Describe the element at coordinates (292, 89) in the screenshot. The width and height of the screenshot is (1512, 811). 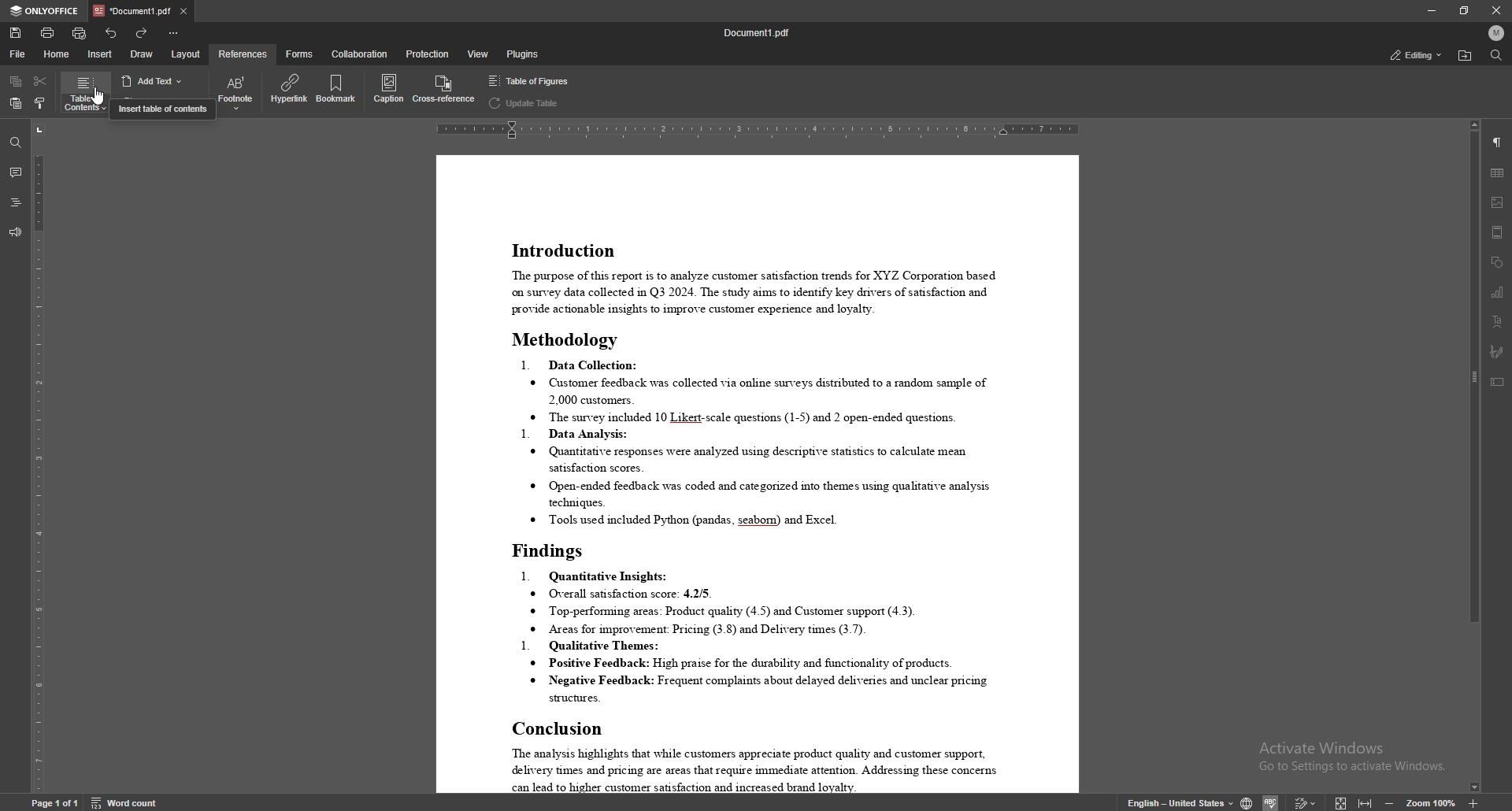
I see `hyperlink` at that location.